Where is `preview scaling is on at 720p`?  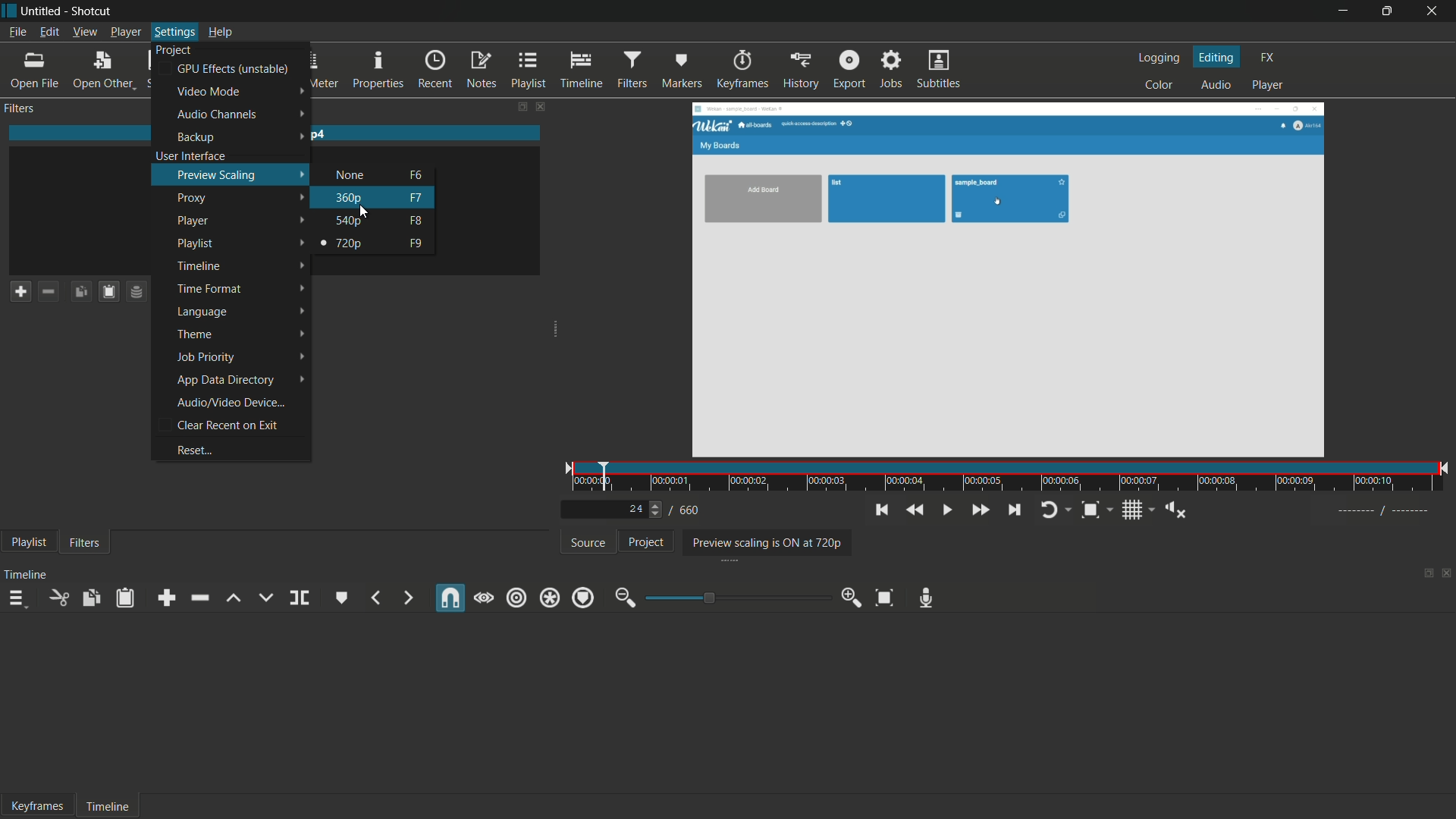
preview scaling is on at 720p is located at coordinates (764, 542).